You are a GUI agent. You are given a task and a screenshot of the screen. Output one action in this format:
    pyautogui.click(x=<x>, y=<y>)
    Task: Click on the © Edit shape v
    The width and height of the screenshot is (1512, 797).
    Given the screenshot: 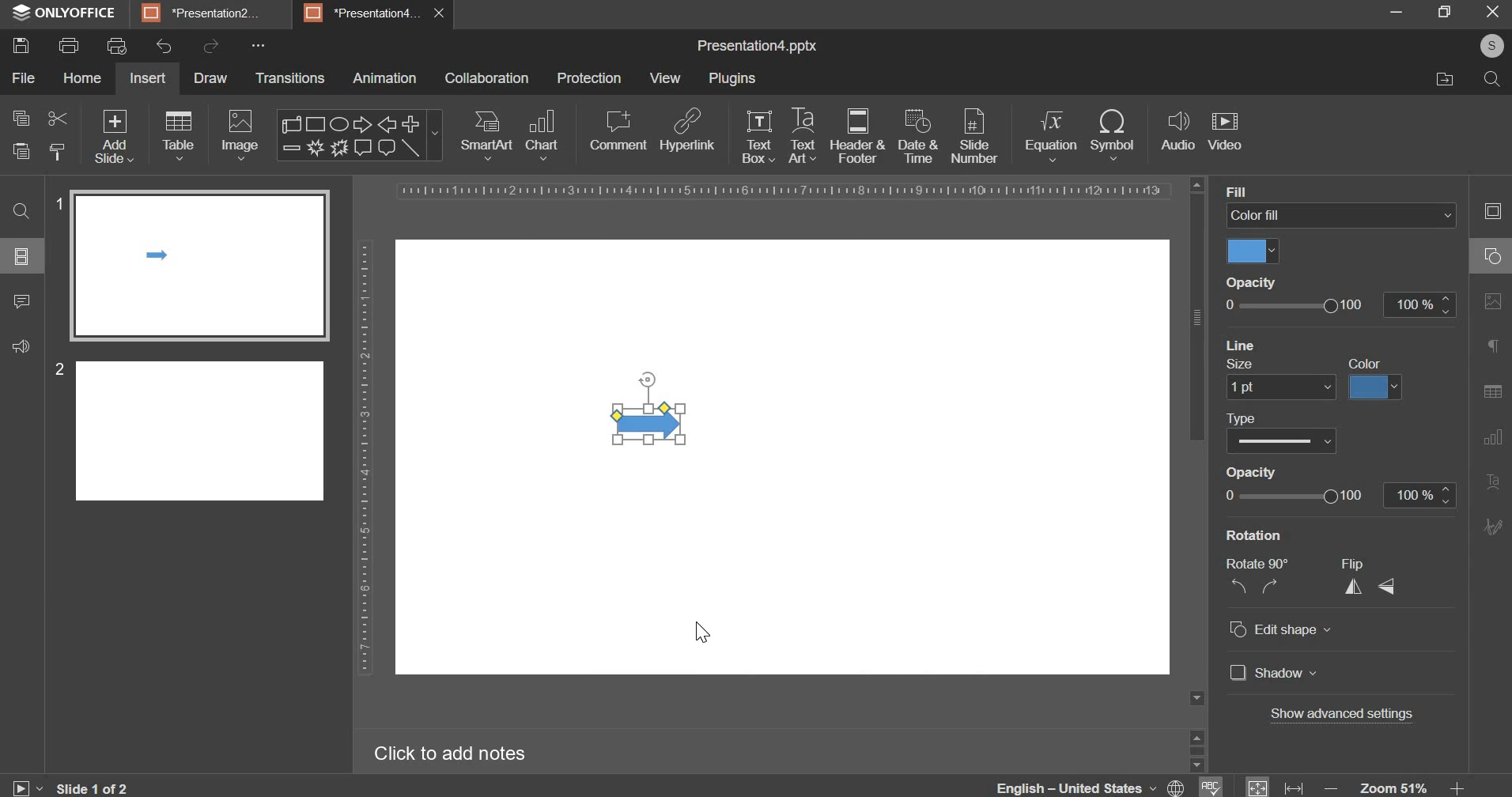 What is the action you would take?
    pyautogui.click(x=1283, y=633)
    